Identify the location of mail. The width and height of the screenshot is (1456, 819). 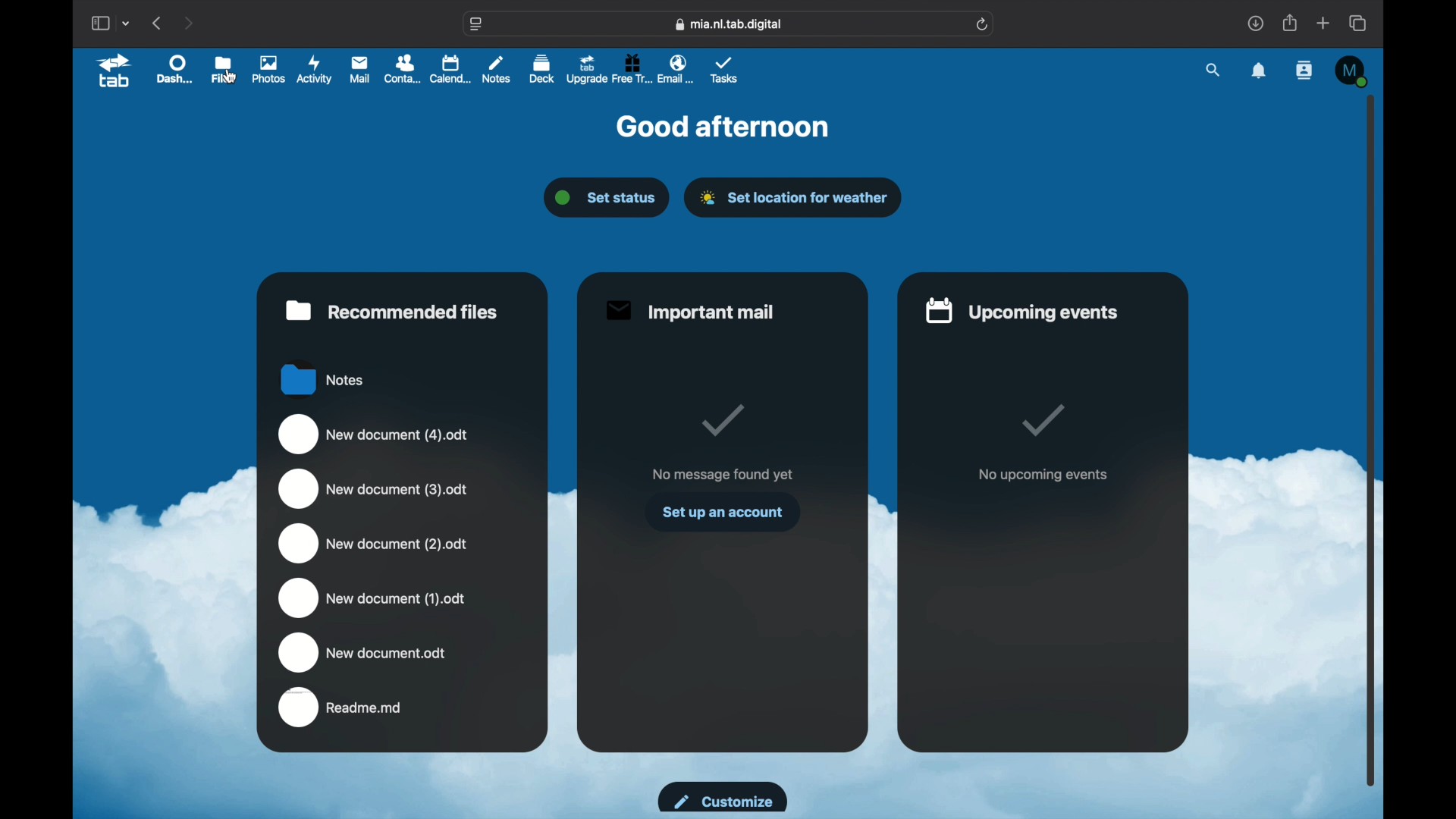
(359, 69).